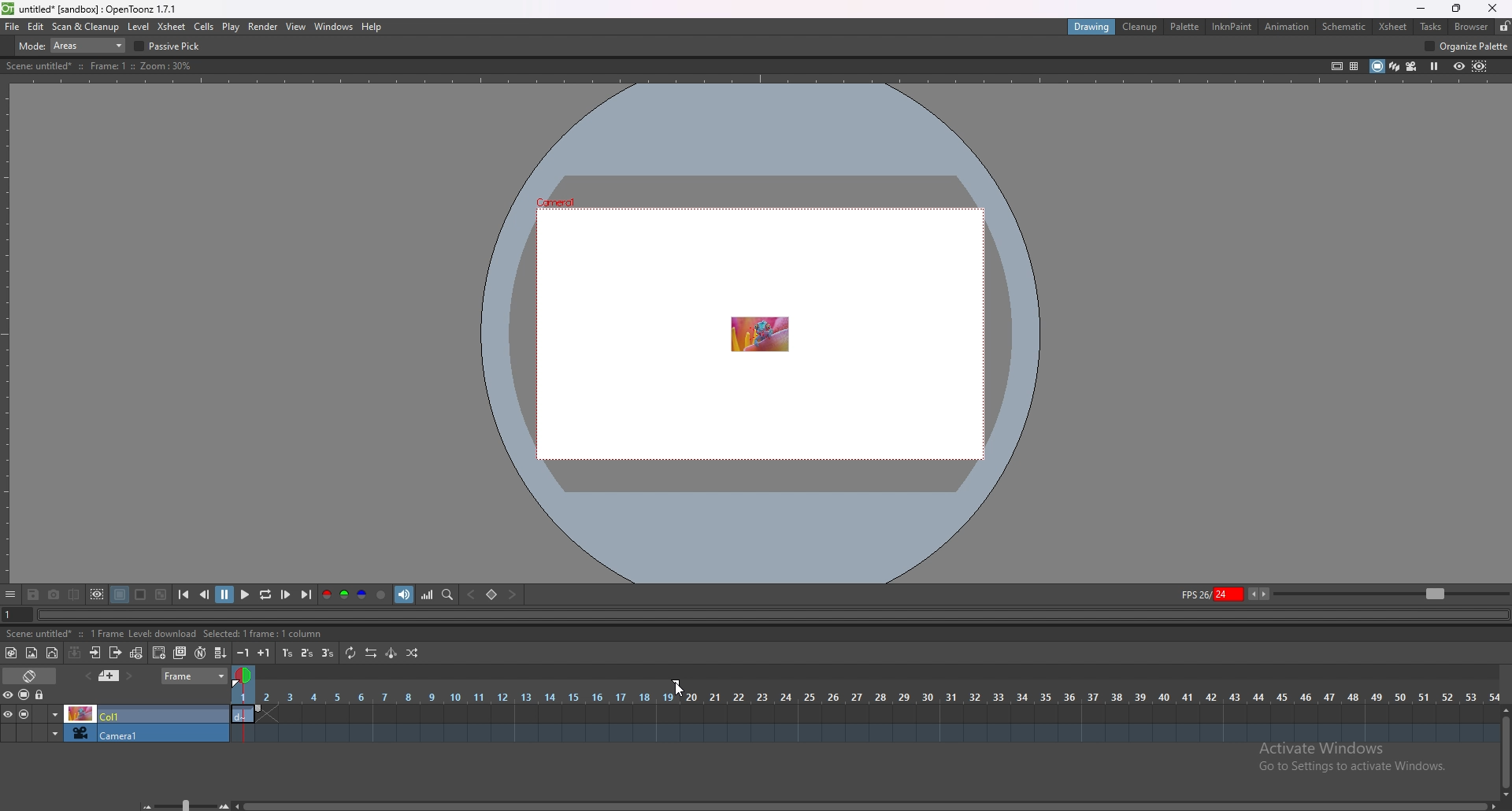 This screenshot has width=1512, height=811. Describe the element at coordinates (412, 654) in the screenshot. I see `random` at that location.